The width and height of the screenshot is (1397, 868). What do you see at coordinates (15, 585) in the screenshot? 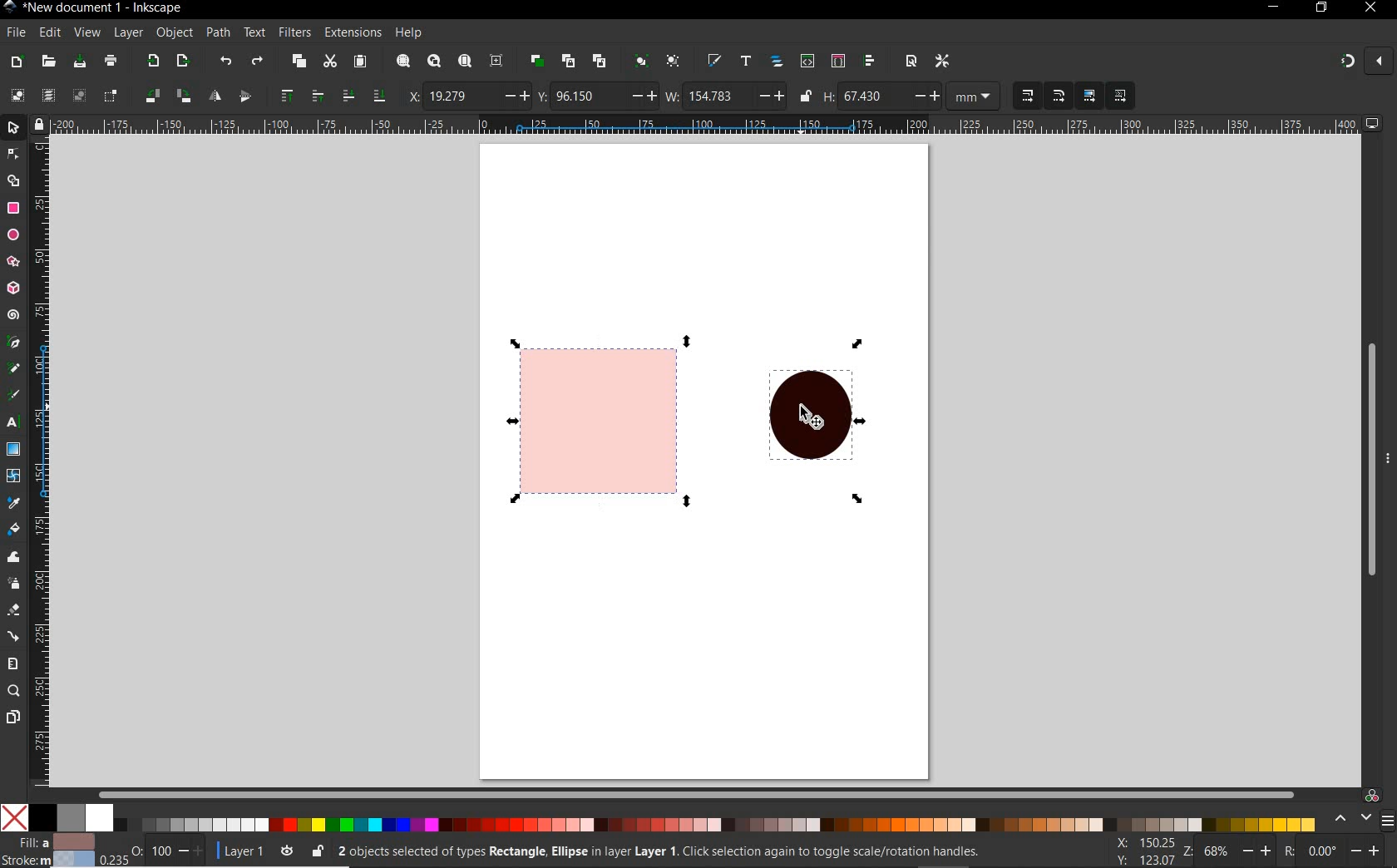
I see `spray tool` at bounding box center [15, 585].